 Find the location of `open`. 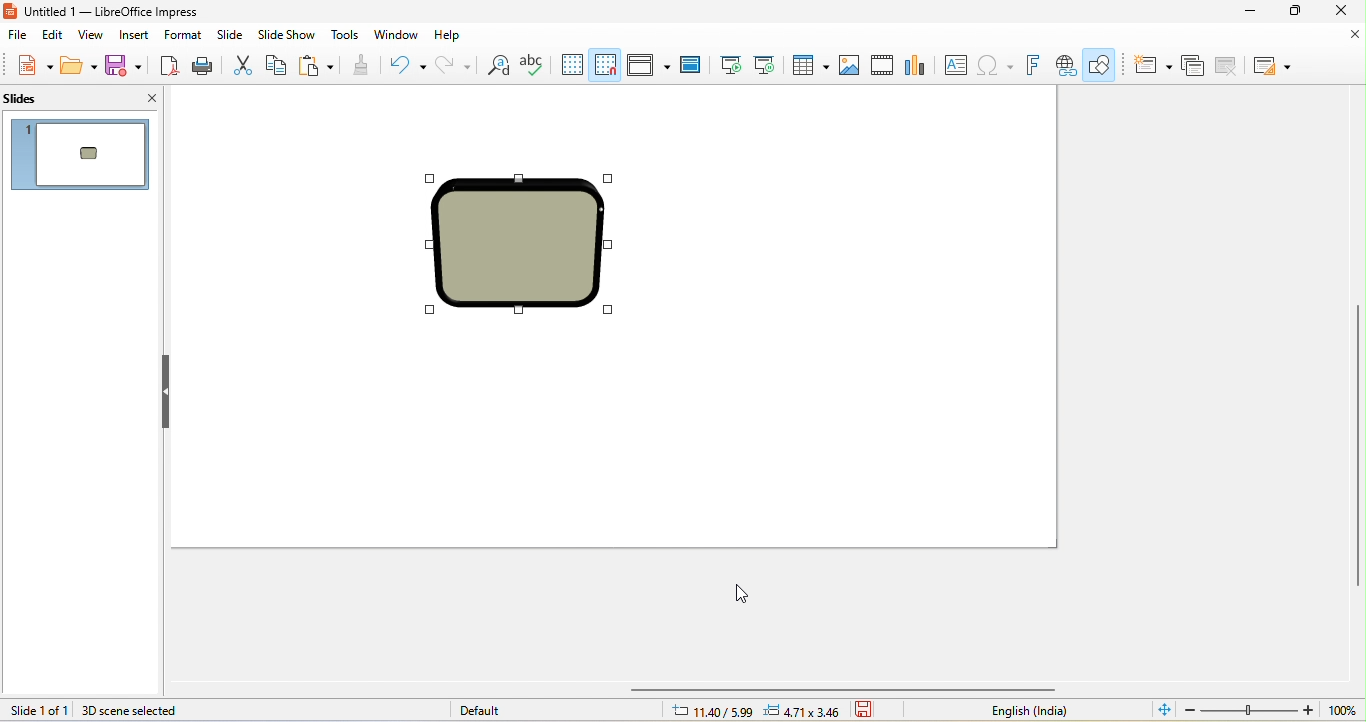

open is located at coordinates (77, 64).